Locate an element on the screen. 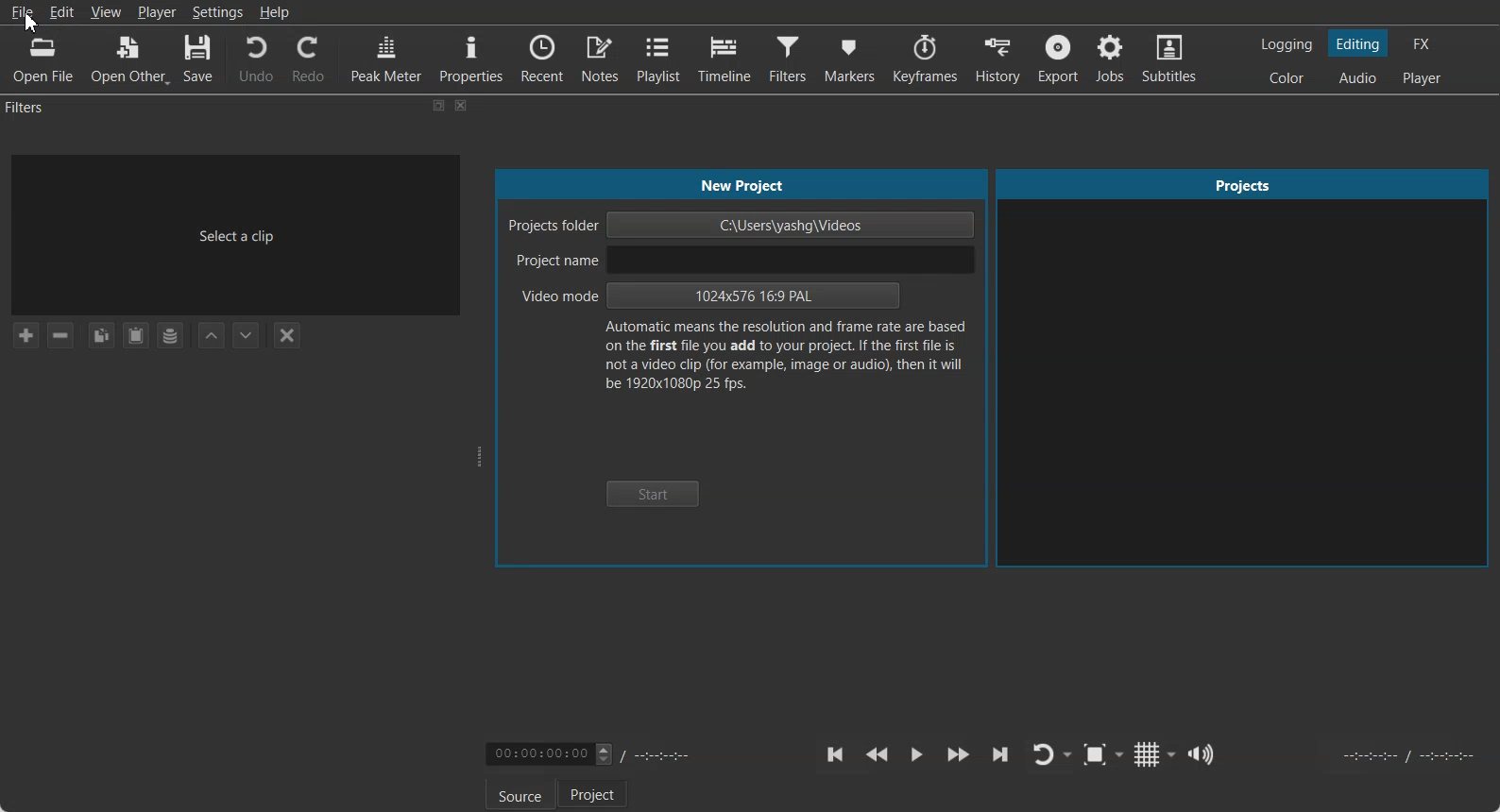 The width and height of the screenshot is (1500, 812). Switch to the Player only layout is located at coordinates (1423, 79).